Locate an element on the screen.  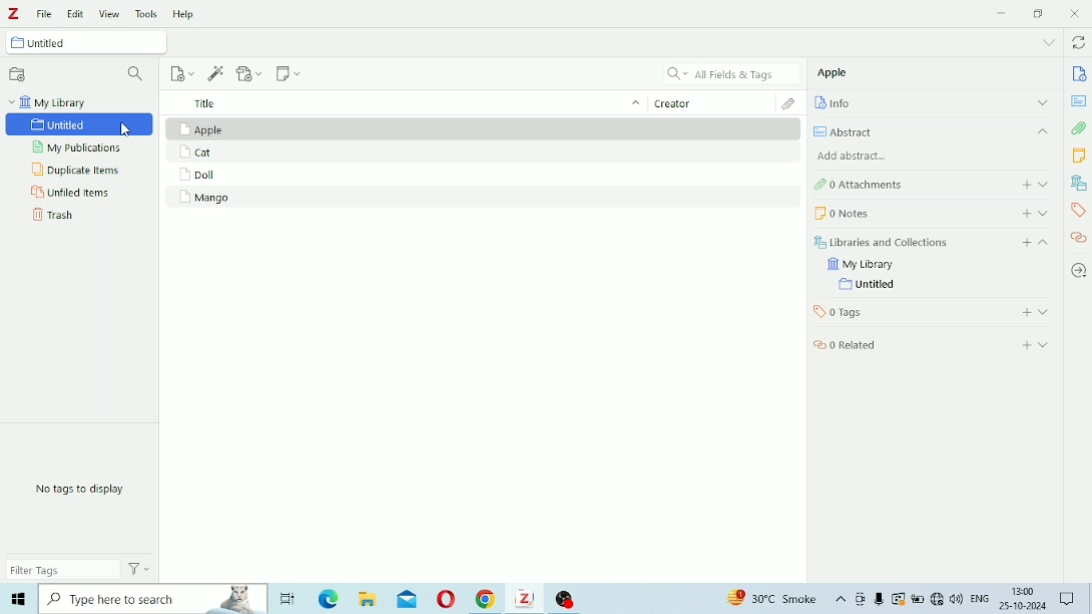
Attachments is located at coordinates (791, 104).